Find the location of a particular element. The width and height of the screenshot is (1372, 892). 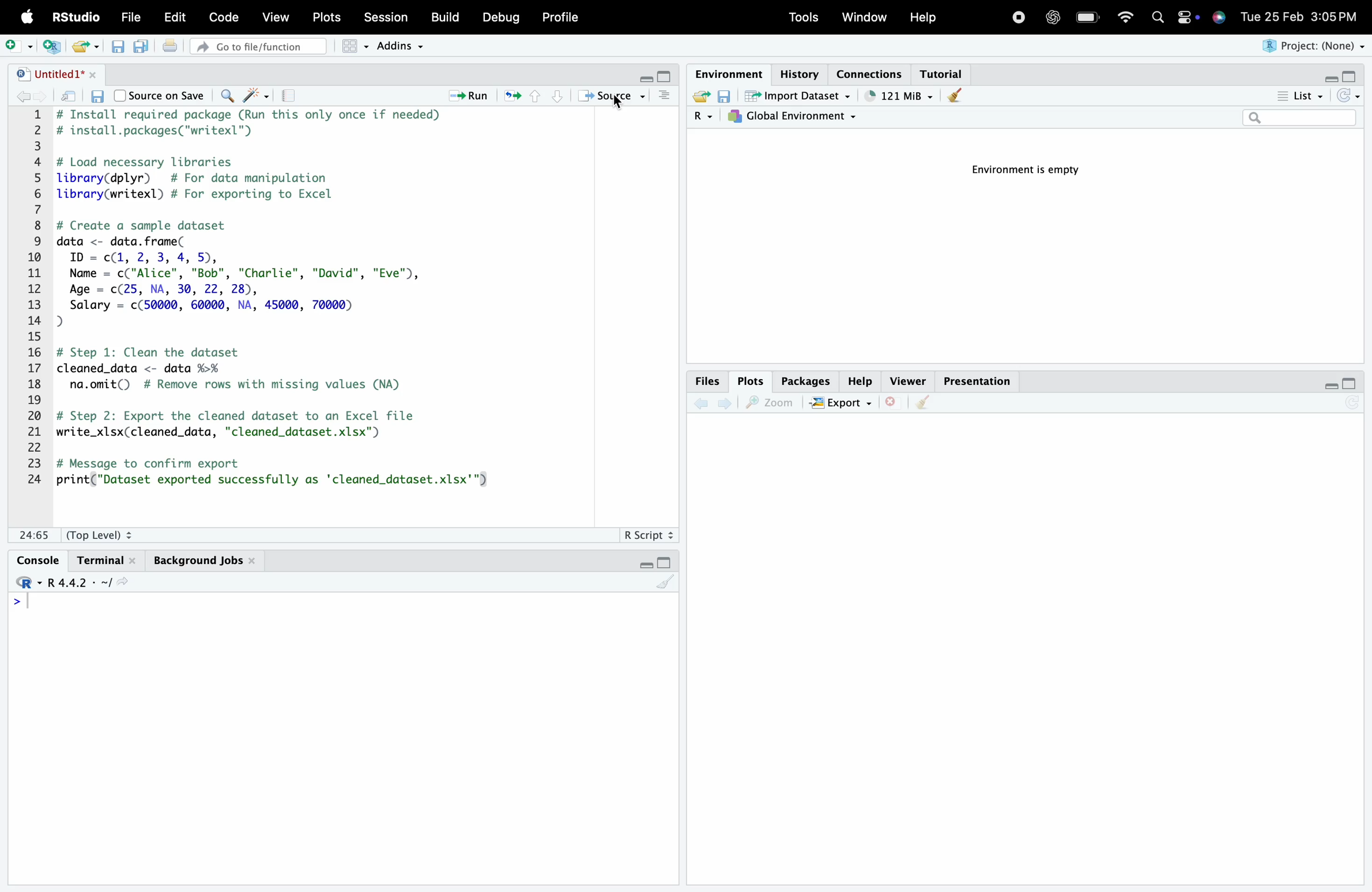

Source the contents of the active document is located at coordinates (609, 96).